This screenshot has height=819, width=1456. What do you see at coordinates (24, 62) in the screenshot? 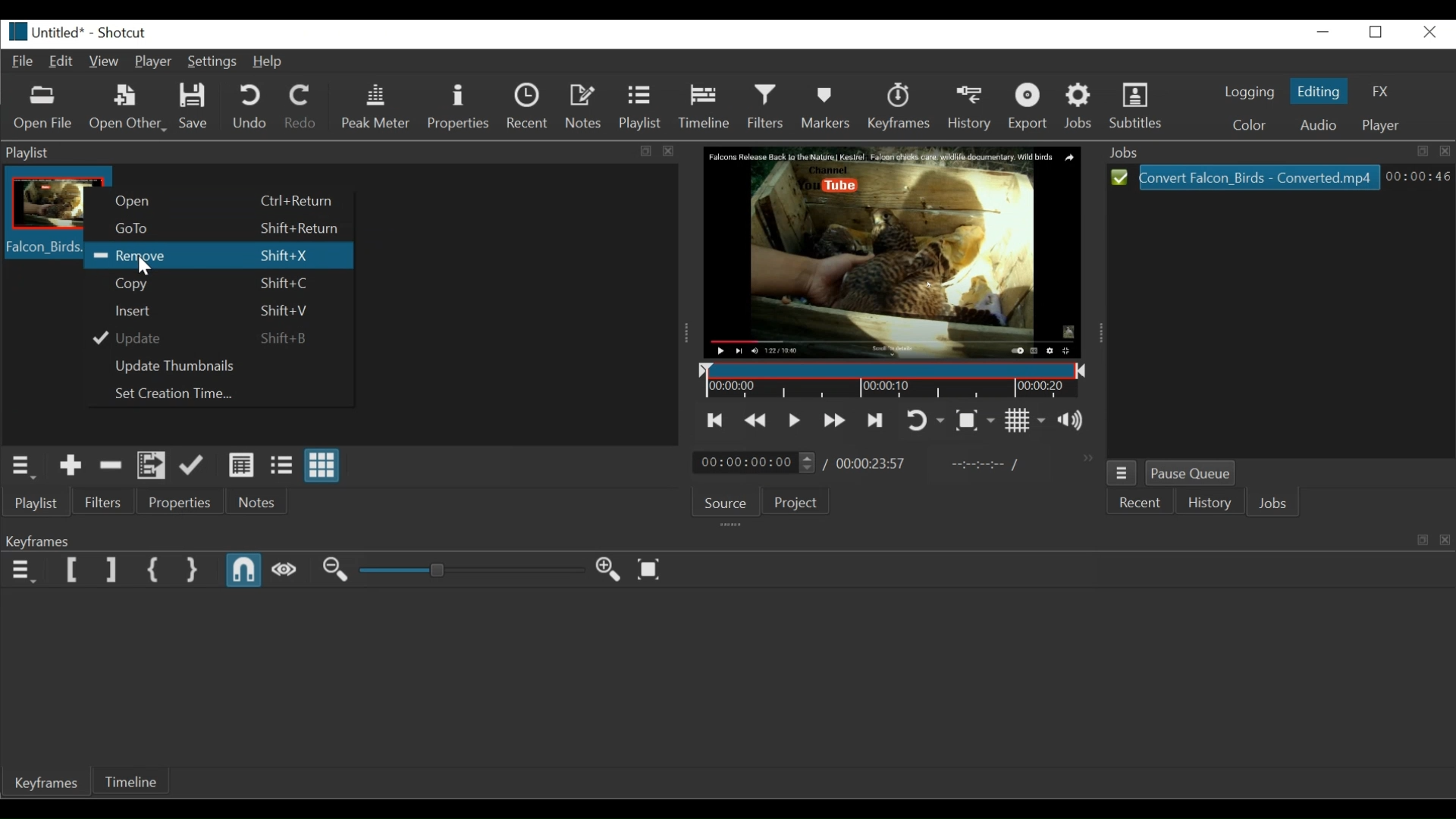
I see `File` at bounding box center [24, 62].